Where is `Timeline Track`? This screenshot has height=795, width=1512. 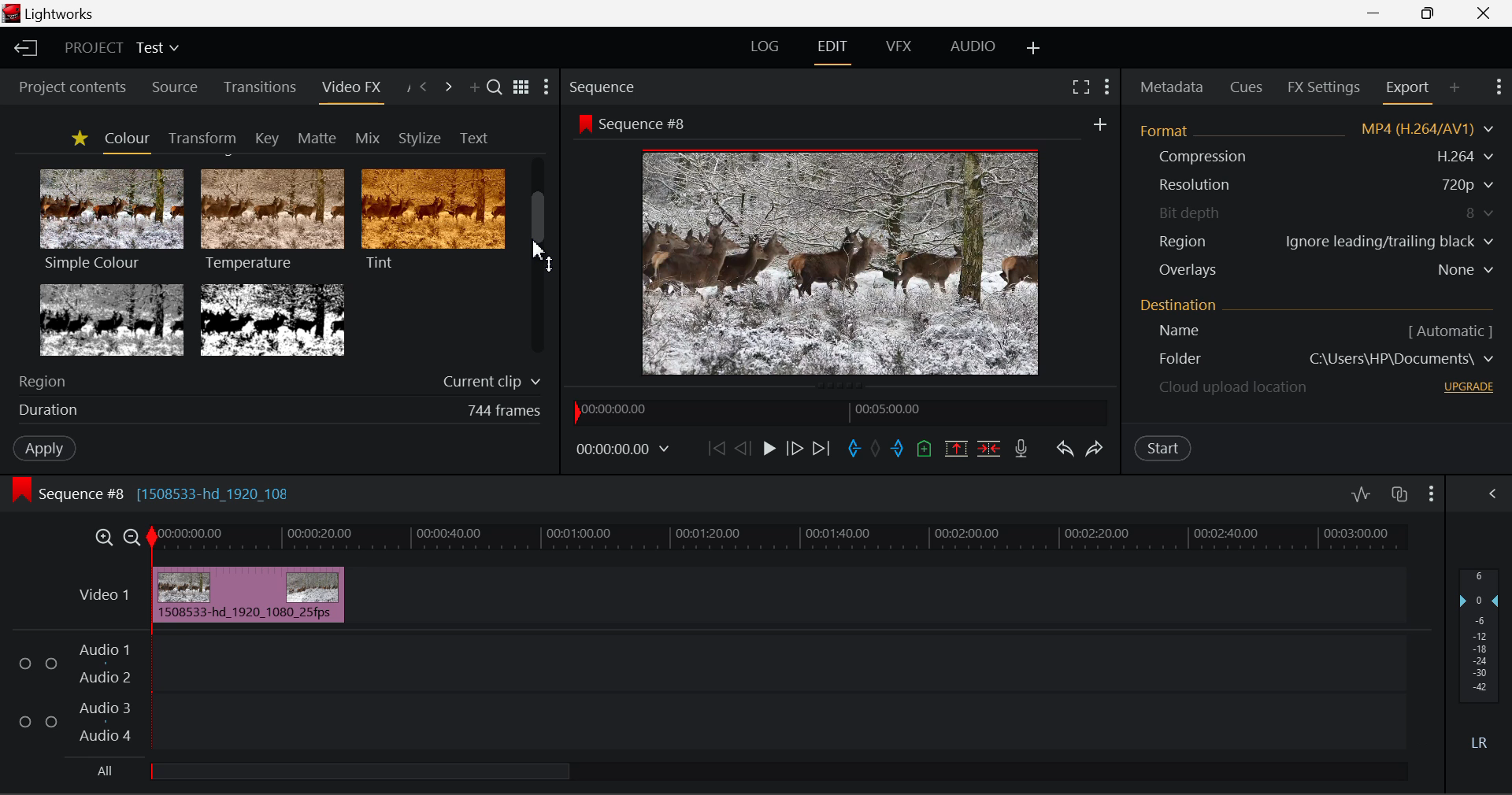
Timeline Track is located at coordinates (781, 538).